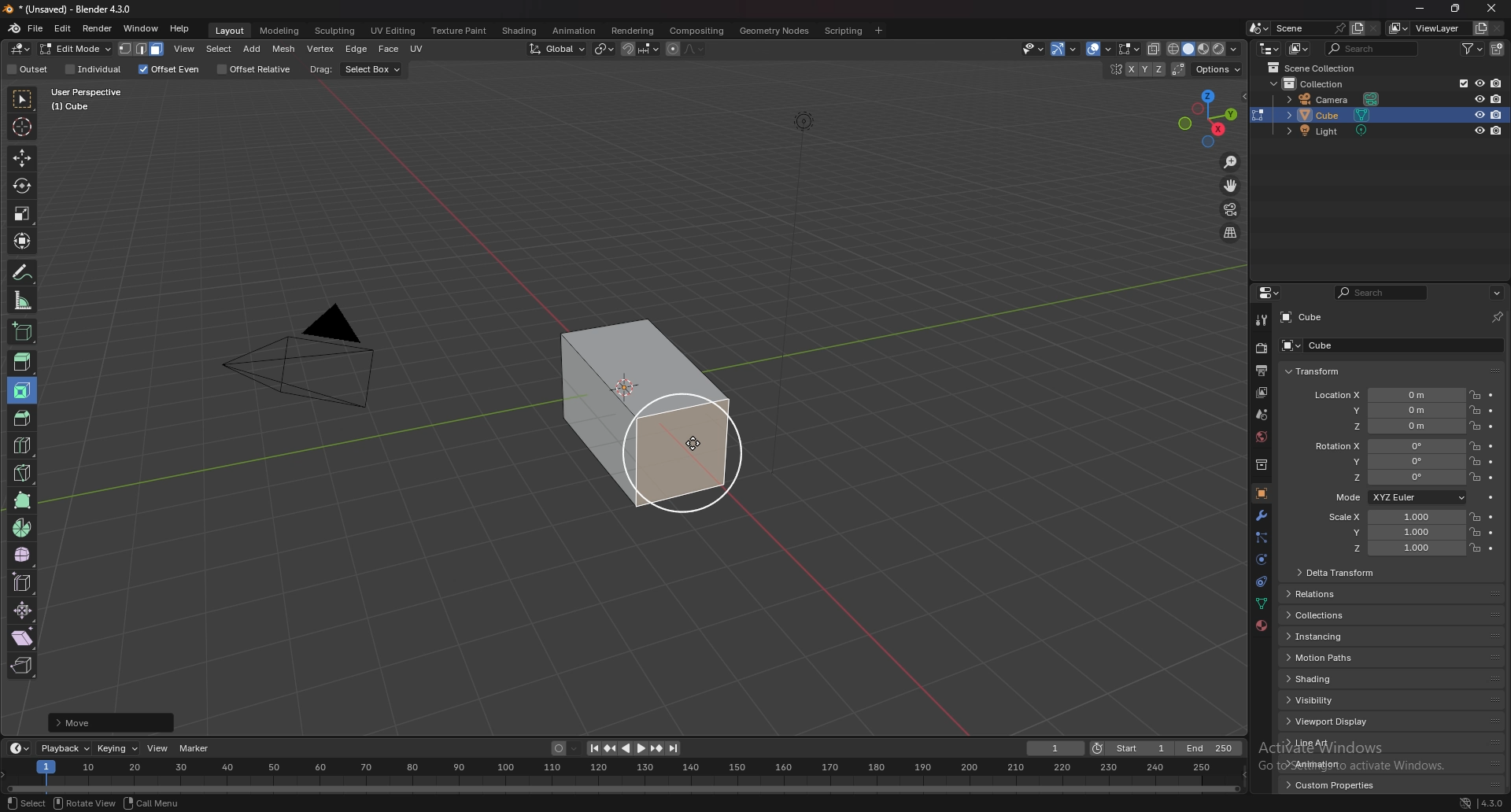  Describe the element at coordinates (99, 98) in the screenshot. I see `info` at that location.